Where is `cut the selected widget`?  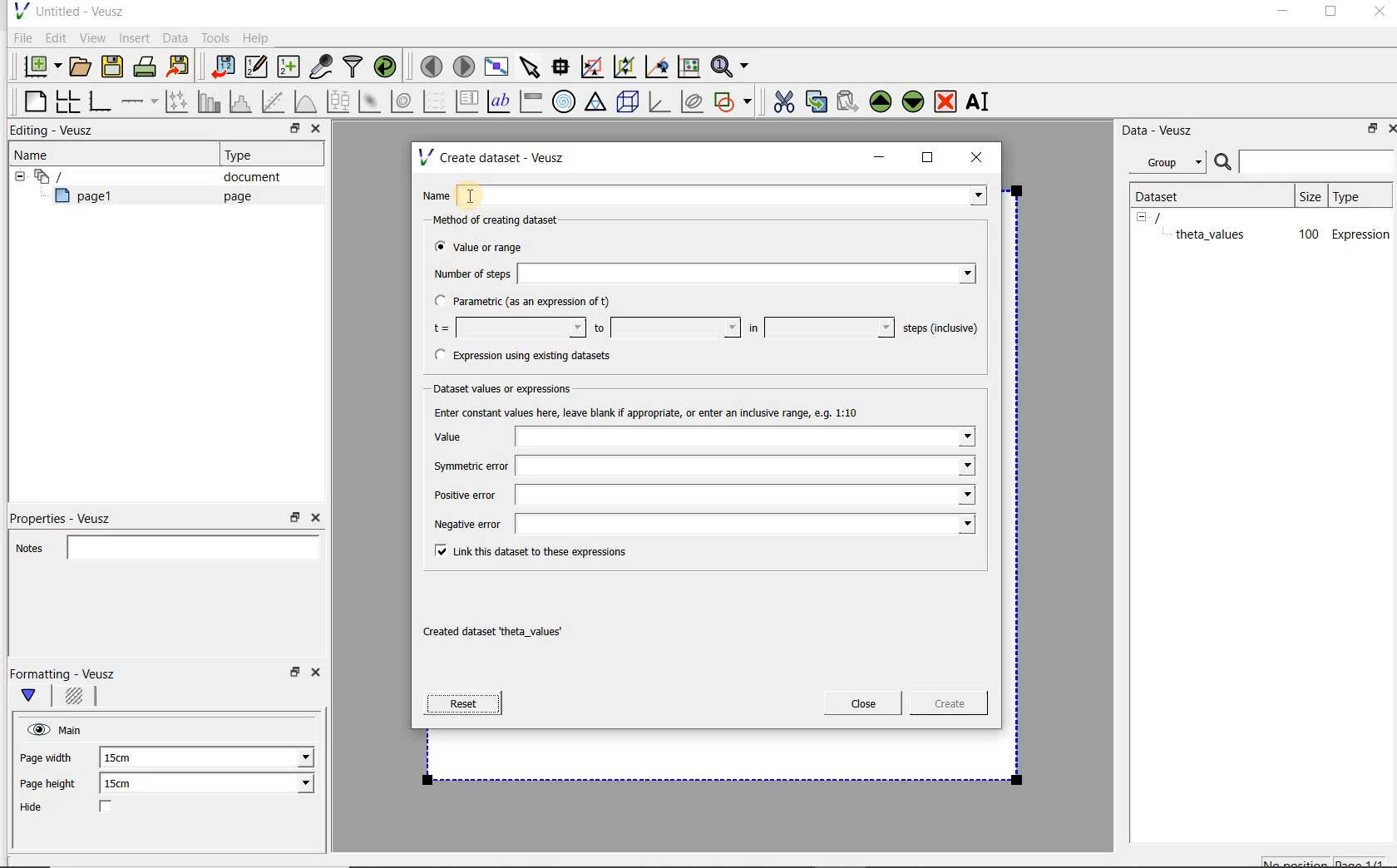
cut the selected widget is located at coordinates (781, 100).